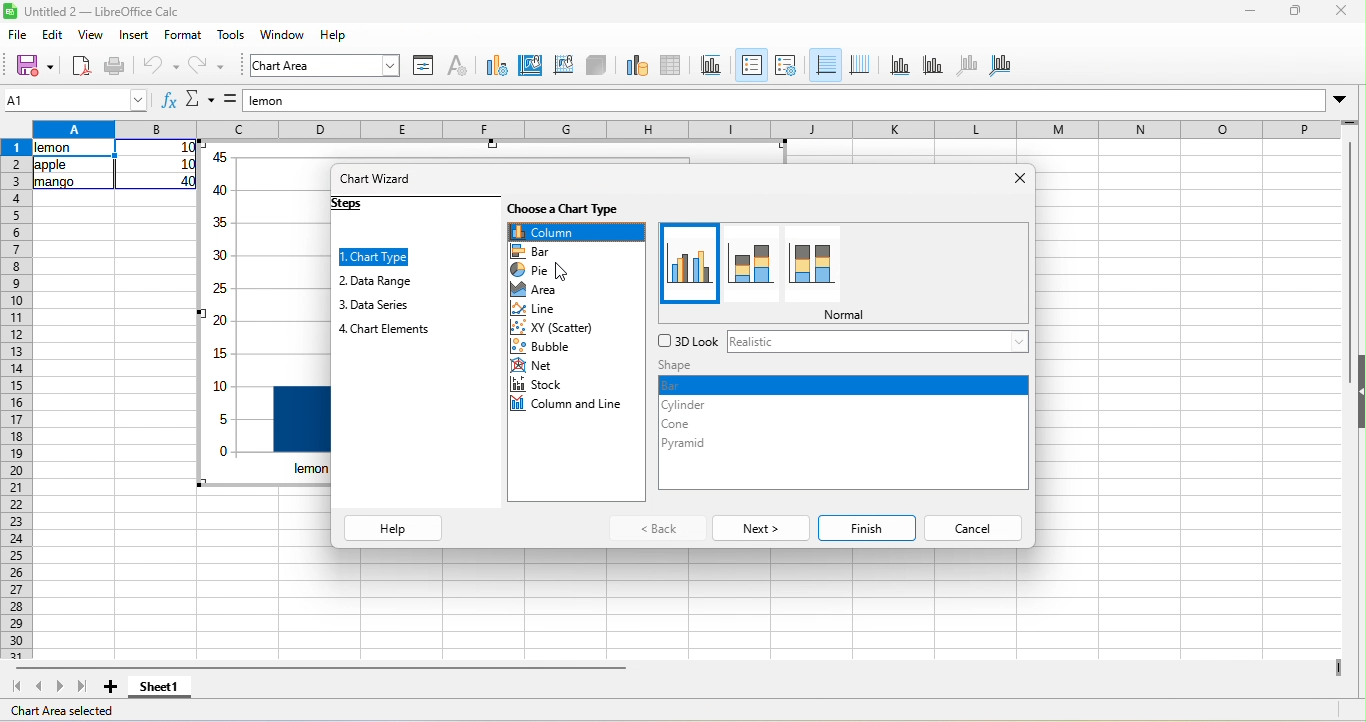 The image size is (1366, 722). Describe the element at coordinates (380, 181) in the screenshot. I see `chart wizard` at that location.